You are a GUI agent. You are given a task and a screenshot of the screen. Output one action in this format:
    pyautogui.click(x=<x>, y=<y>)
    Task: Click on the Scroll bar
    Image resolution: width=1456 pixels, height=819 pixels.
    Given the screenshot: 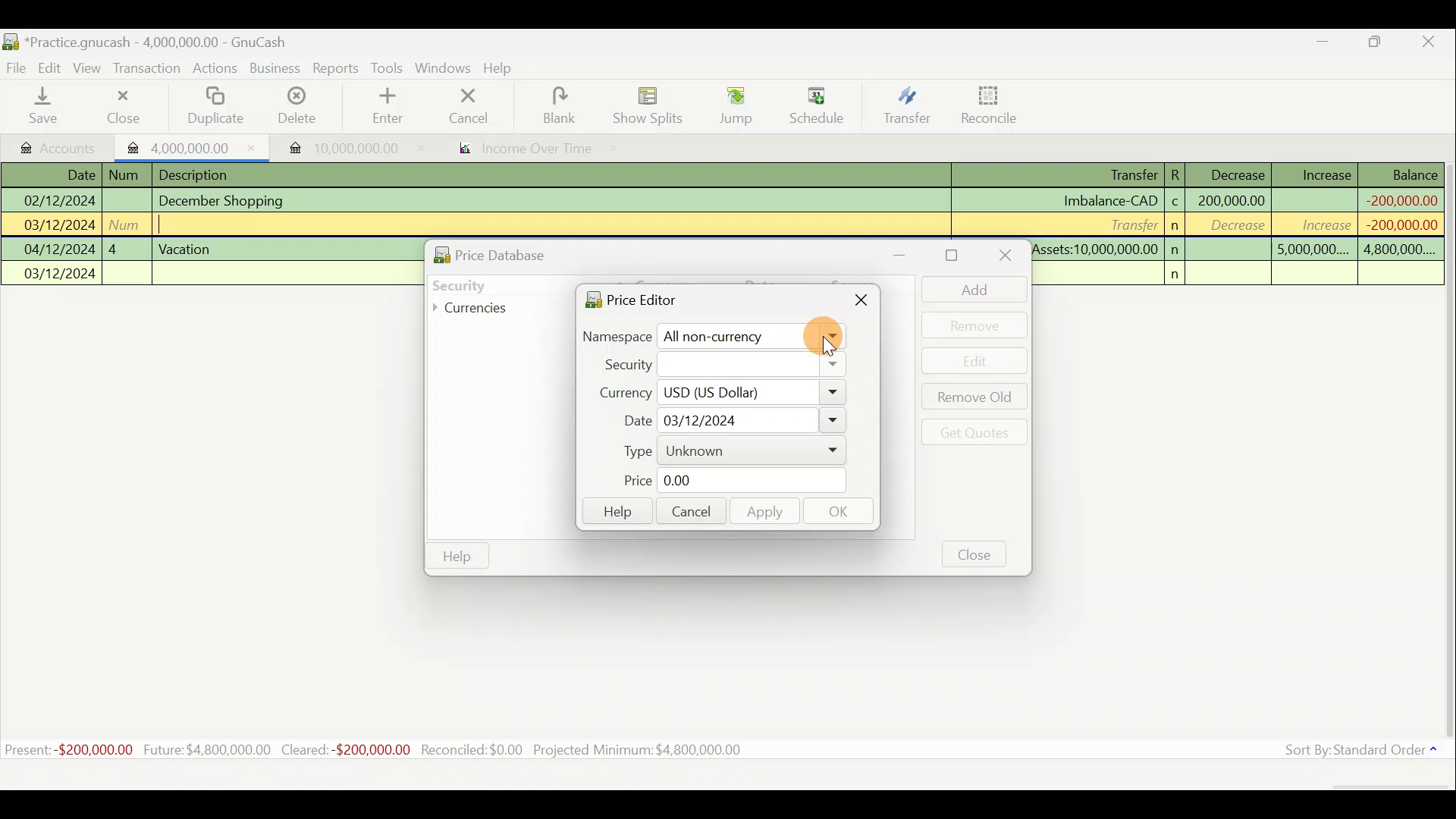 What is the action you would take?
    pyautogui.click(x=1447, y=454)
    